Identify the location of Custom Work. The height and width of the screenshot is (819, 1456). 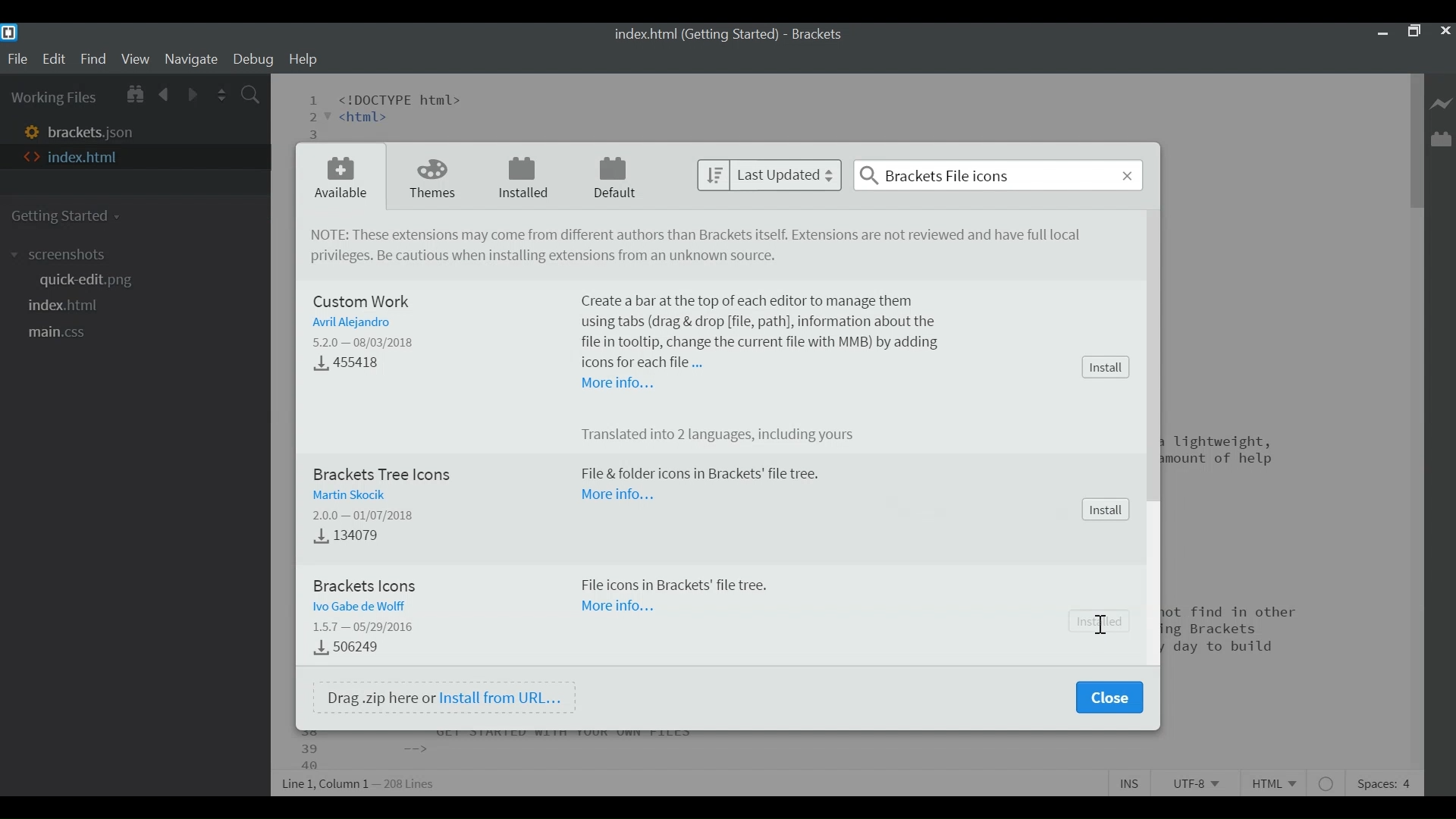
(365, 301).